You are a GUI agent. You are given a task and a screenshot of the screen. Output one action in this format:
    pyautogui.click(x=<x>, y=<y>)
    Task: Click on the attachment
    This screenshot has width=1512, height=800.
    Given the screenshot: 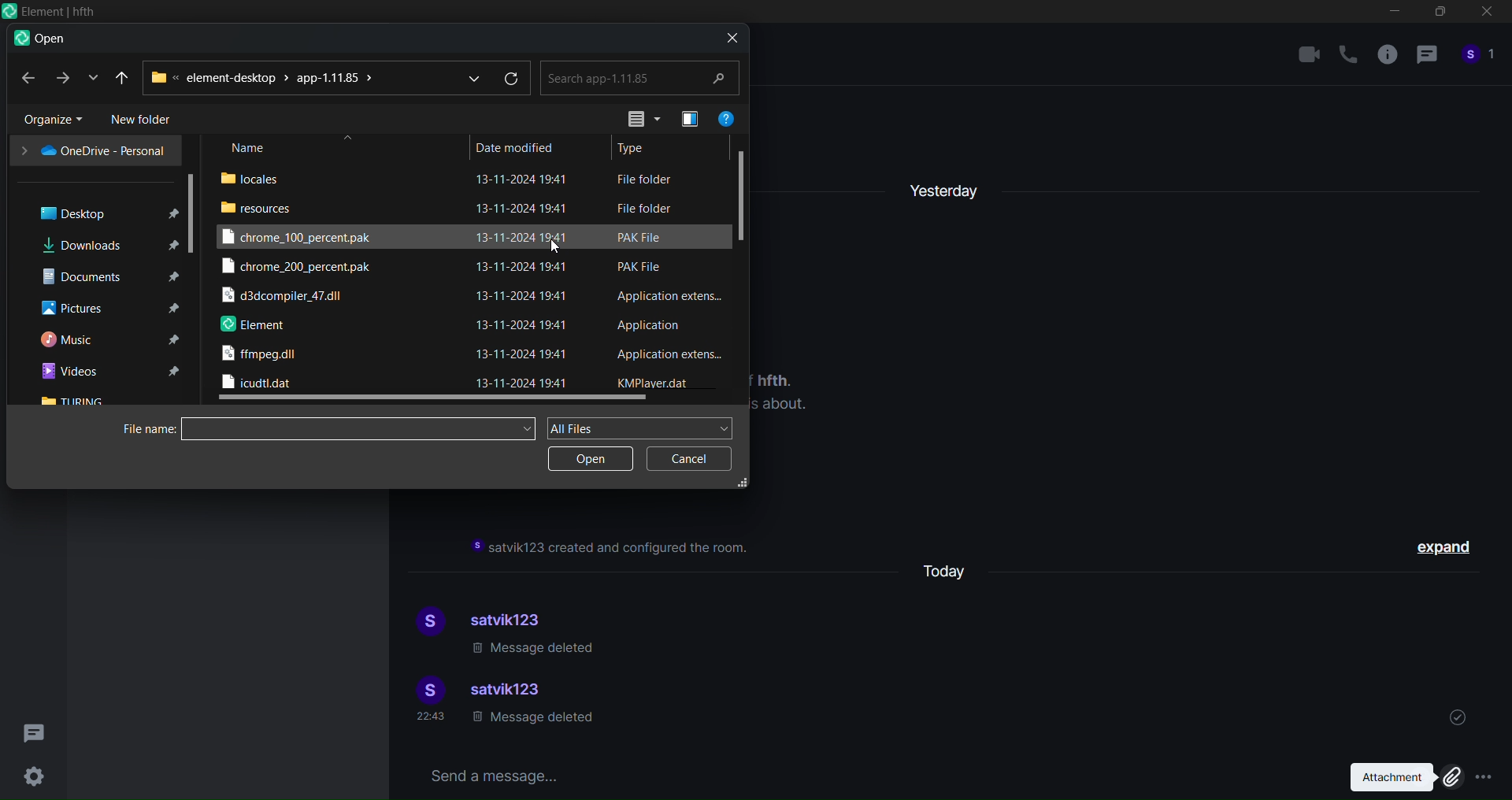 What is the action you would take?
    pyautogui.click(x=1400, y=777)
    